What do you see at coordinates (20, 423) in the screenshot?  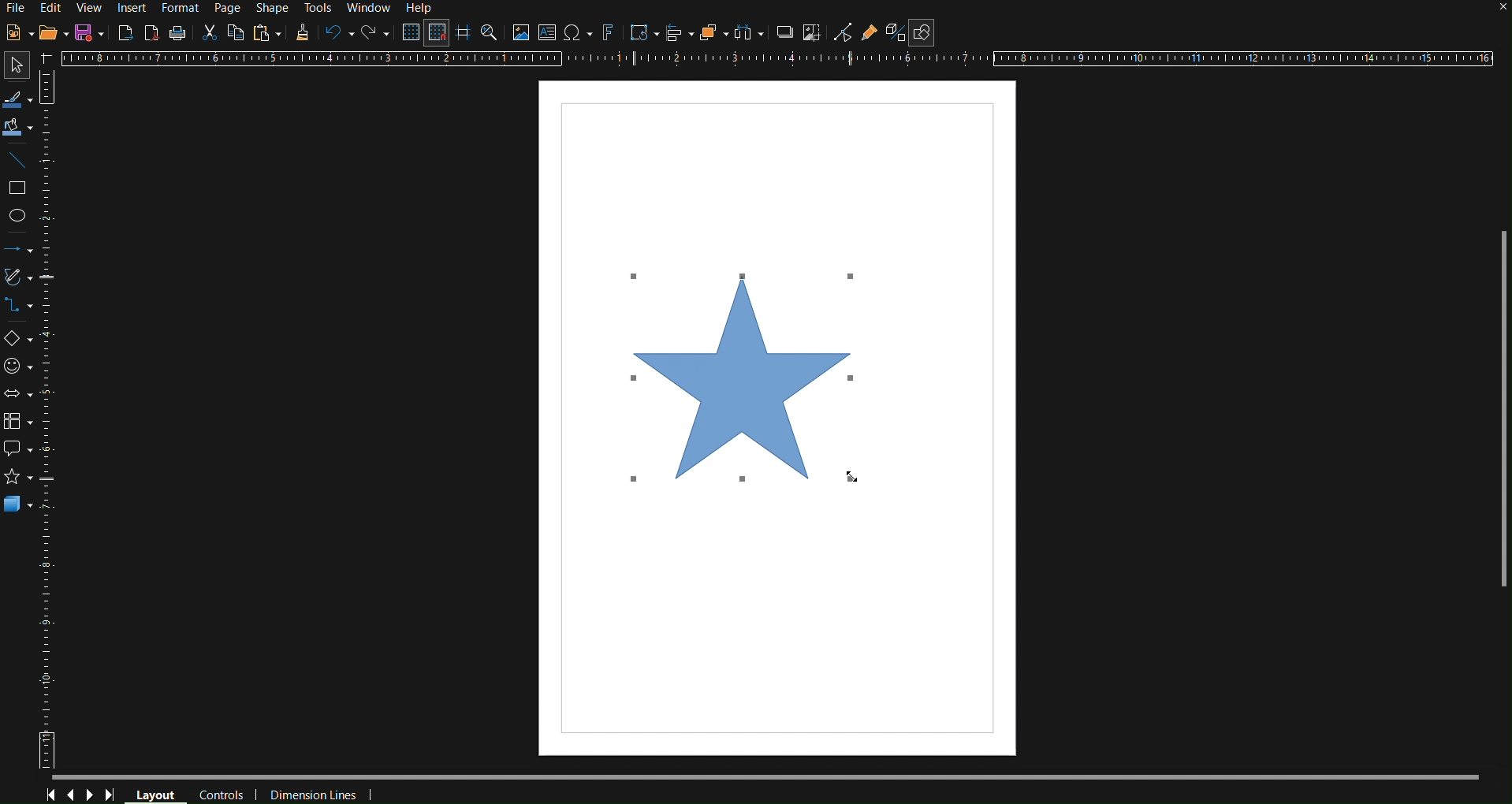 I see `Flowchart` at bounding box center [20, 423].